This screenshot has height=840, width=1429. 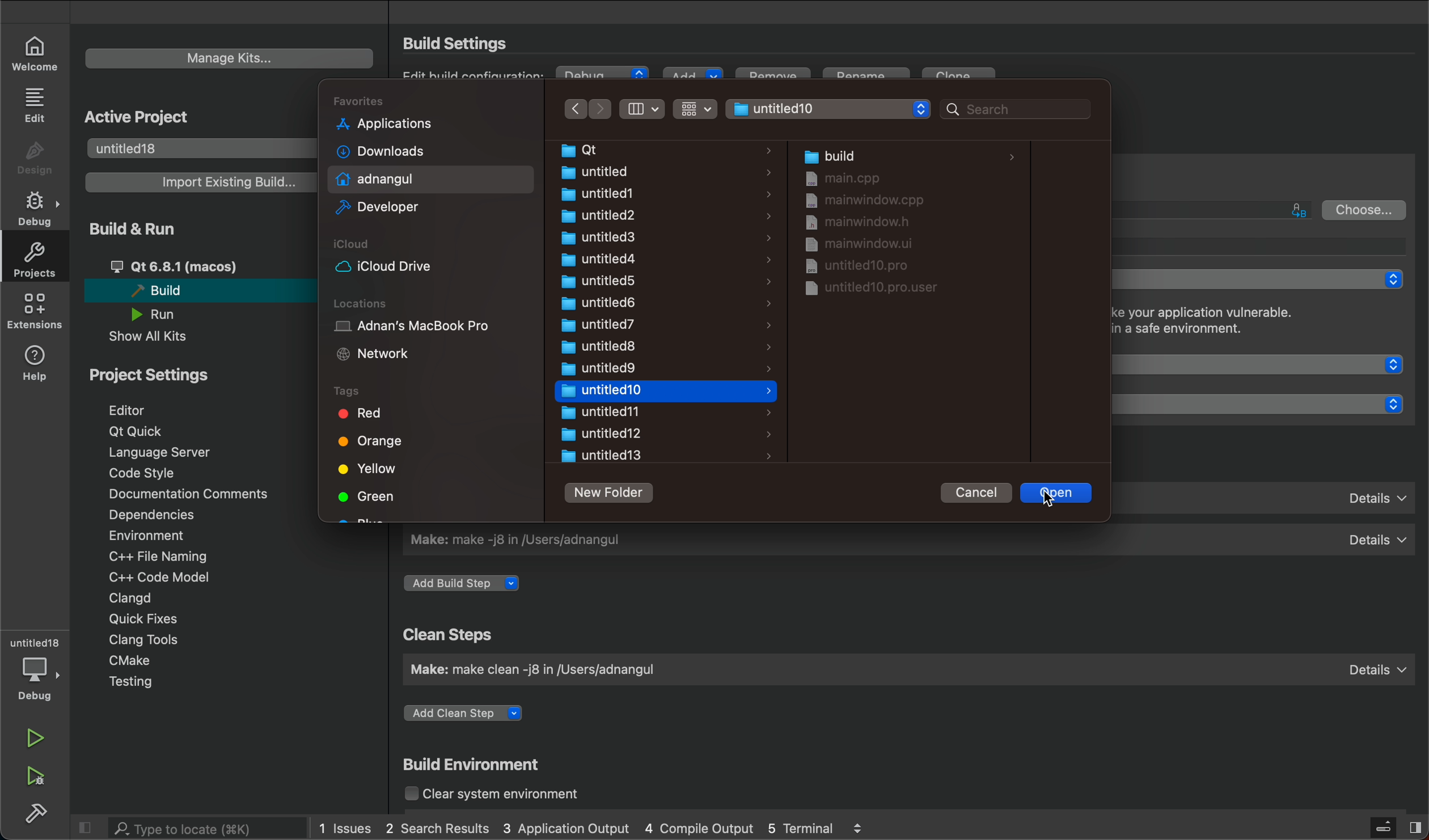 What do you see at coordinates (151, 376) in the screenshot?
I see `project setting` at bounding box center [151, 376].